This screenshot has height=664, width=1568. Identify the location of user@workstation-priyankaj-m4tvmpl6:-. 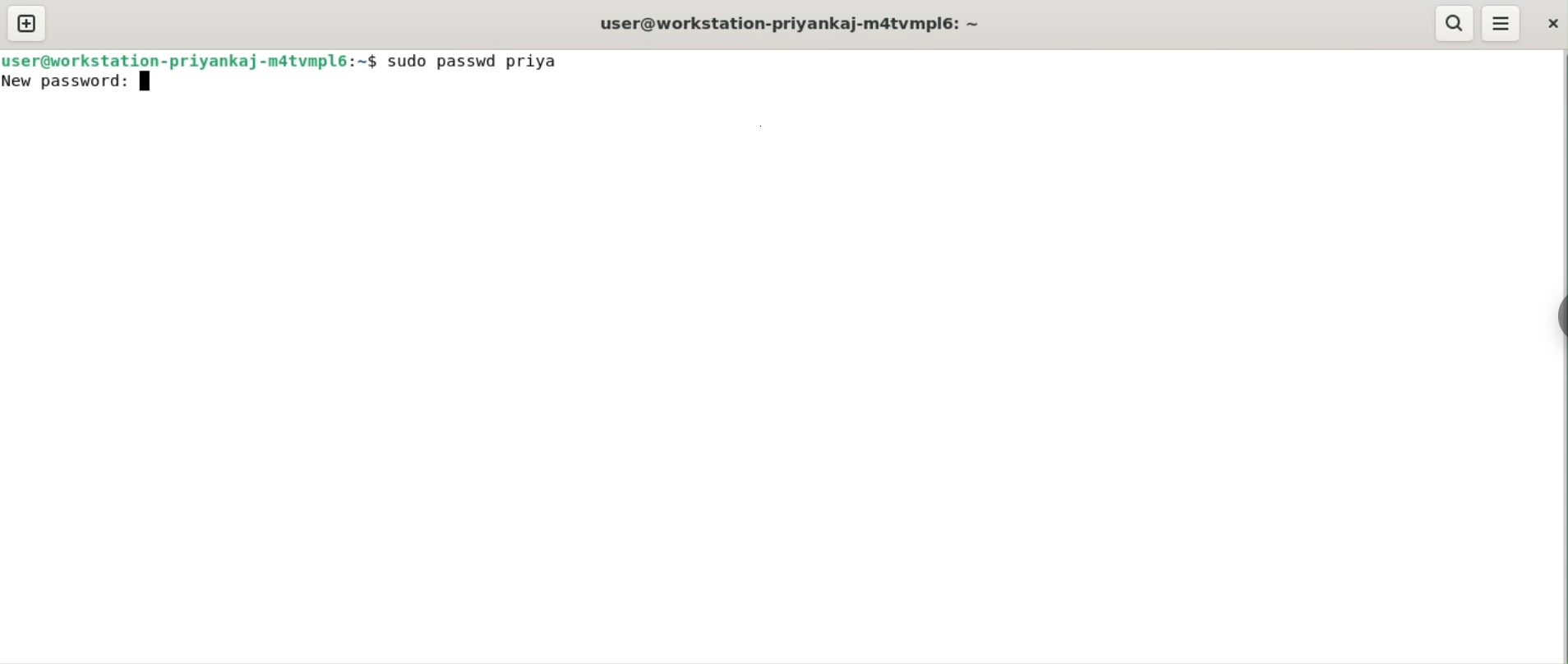
(801, 22).